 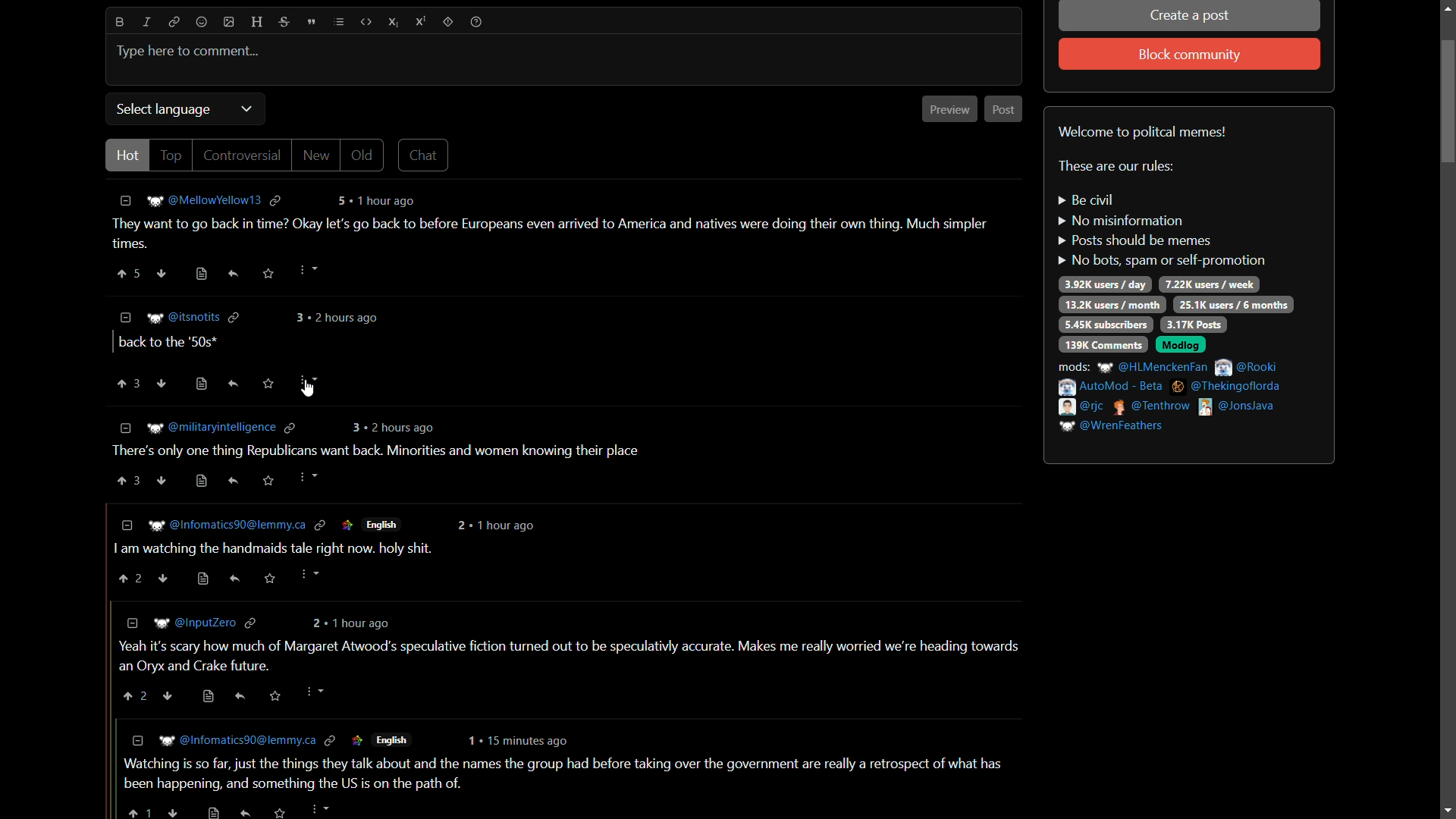 What do you see at coordinates (1172, 396) in the screenshot?
I see `mods` at bounding box center [1172, 396].